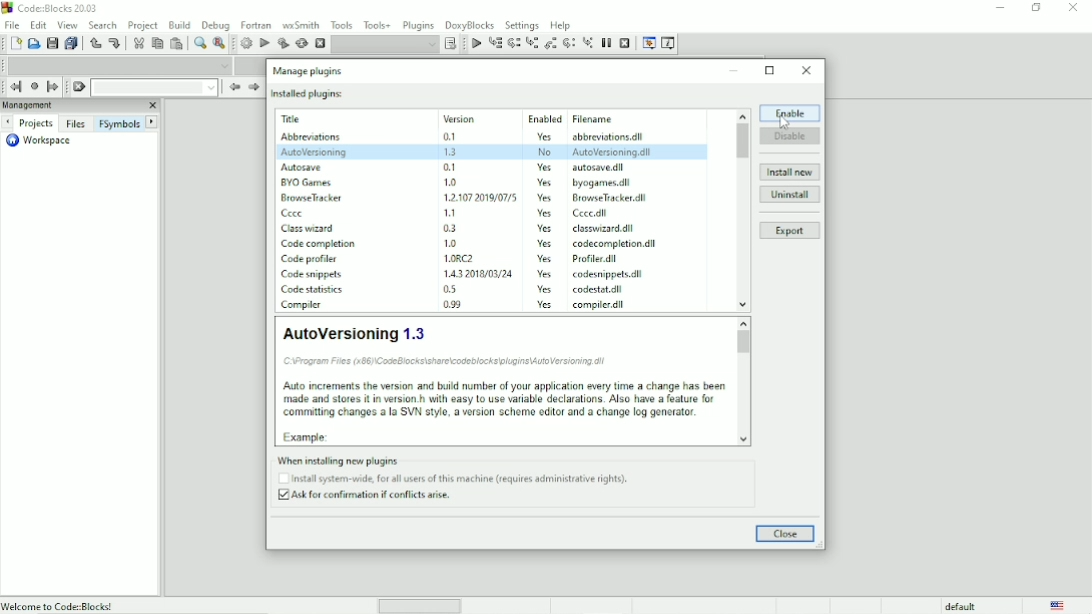 The image size is (1092, 614). I want to click on Vertical scrollbar, so click(743, 142).